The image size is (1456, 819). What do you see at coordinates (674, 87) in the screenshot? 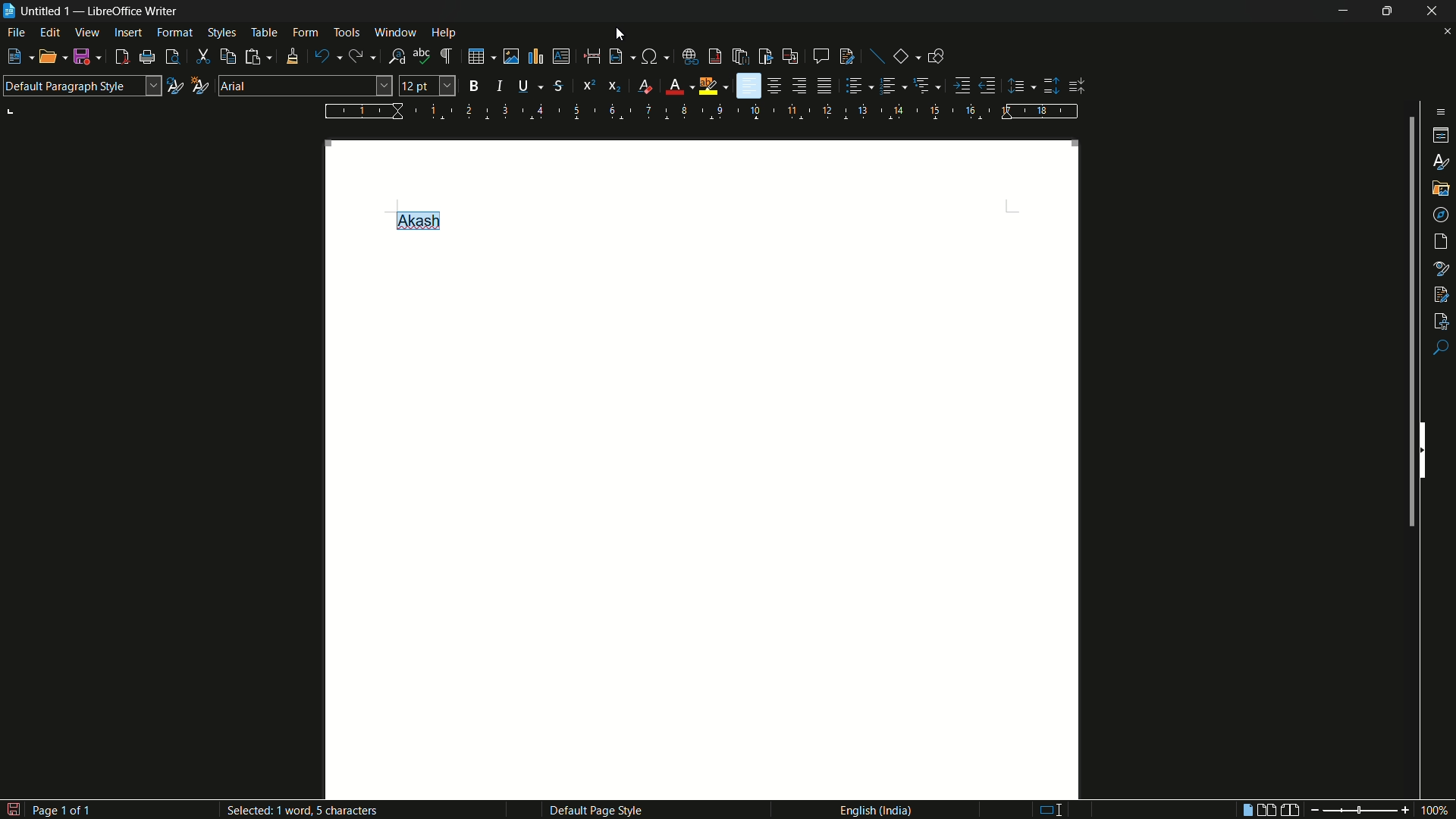
I see `font color` at bounding box center [674, 87].